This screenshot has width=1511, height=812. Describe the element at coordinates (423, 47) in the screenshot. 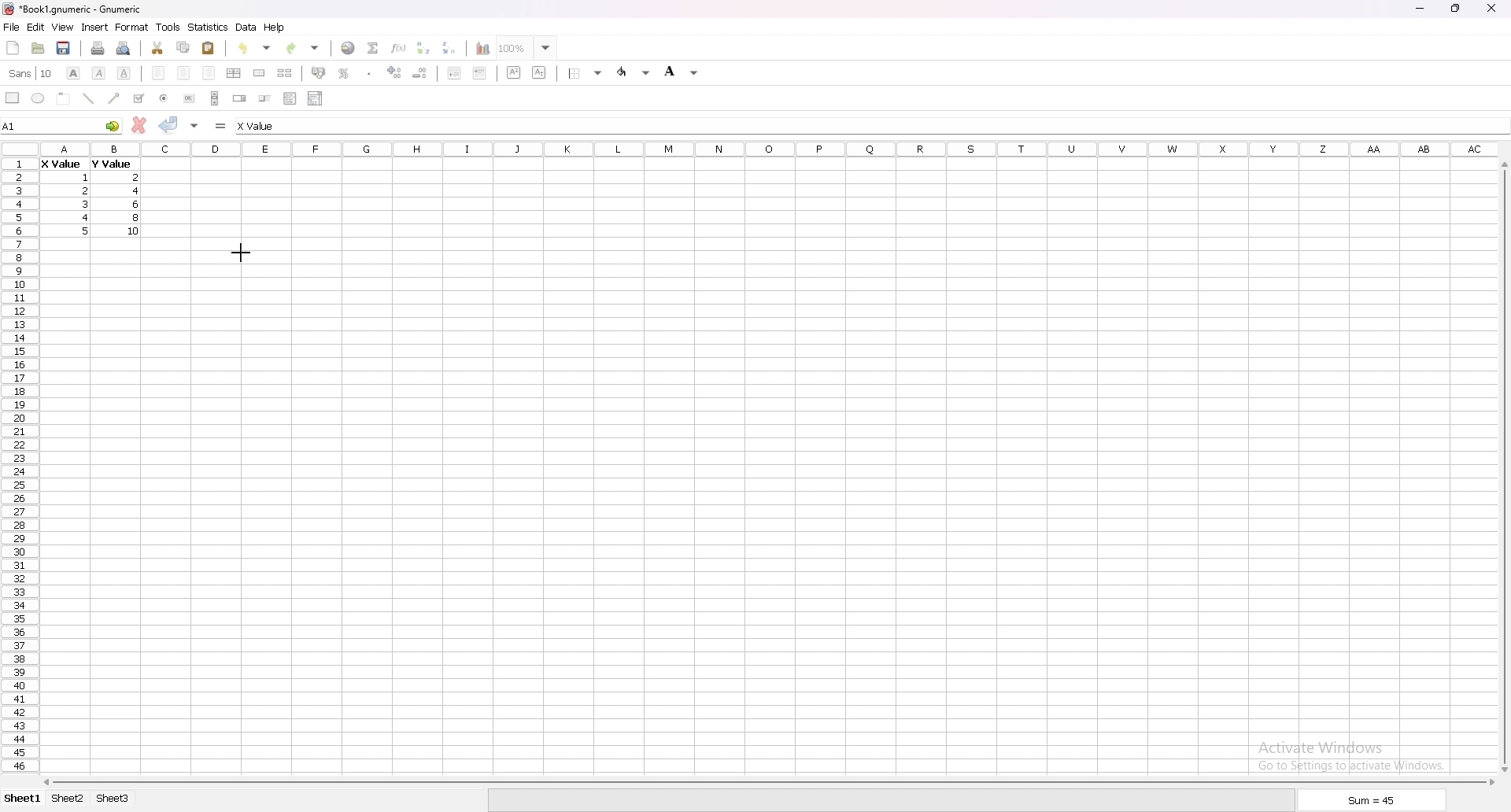

I see `sort ascending` at that location.